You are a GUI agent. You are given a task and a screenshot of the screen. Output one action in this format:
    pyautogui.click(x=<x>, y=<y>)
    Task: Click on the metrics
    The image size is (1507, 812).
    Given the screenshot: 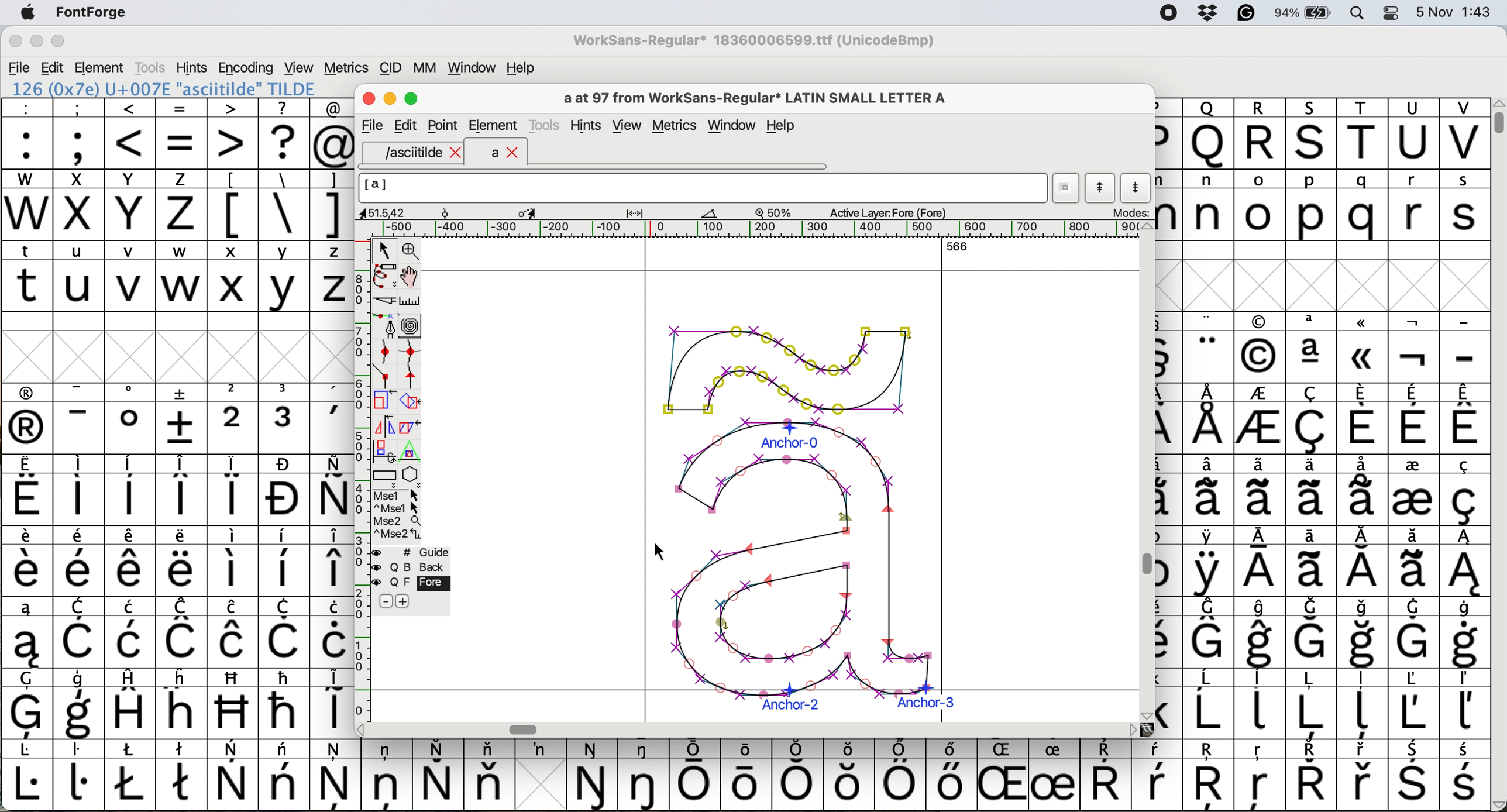 What is the action you would take?
    pyautogui.click(x=346, y=68)
    